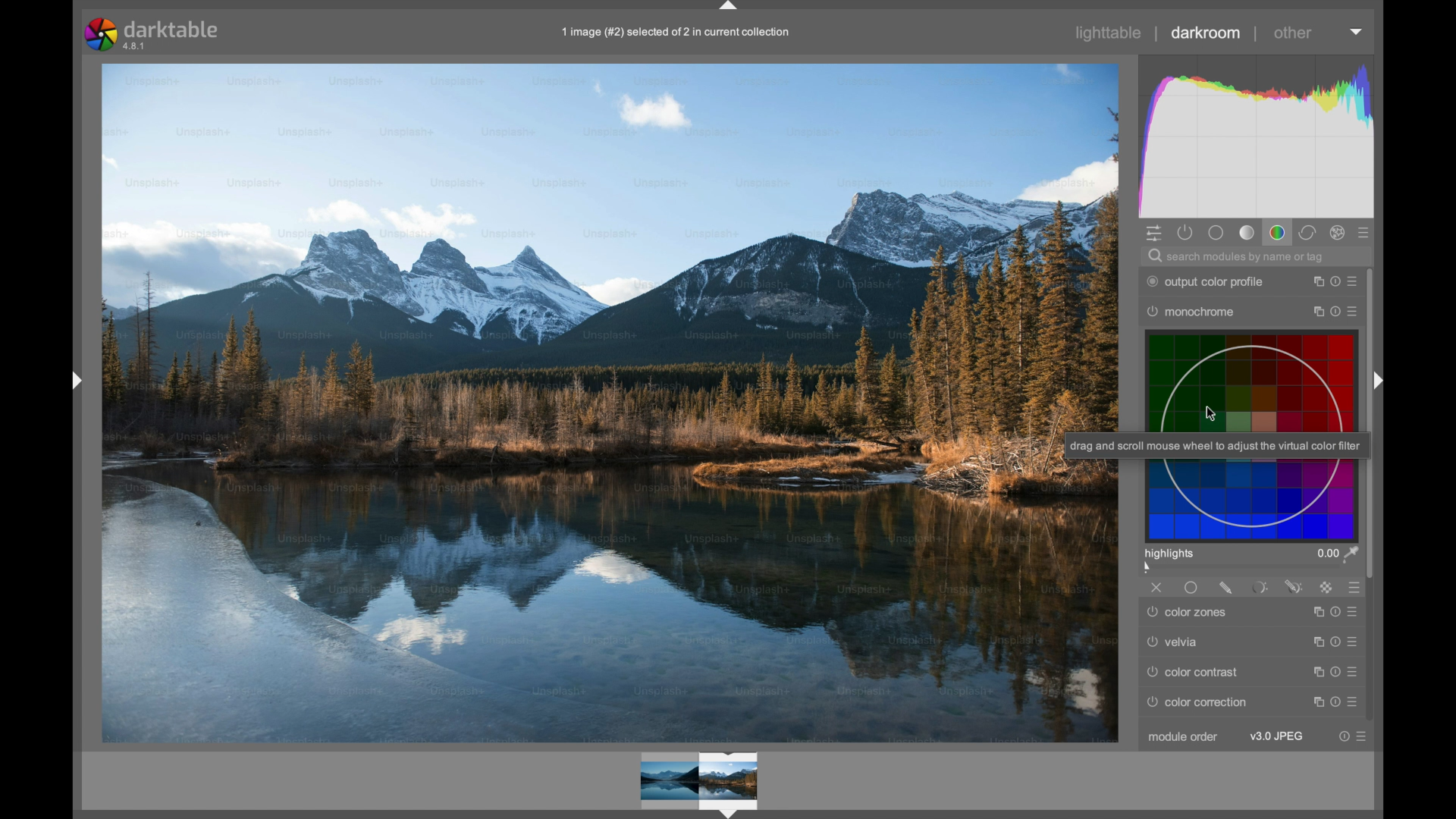  What do you see at coordinates (1354, 280) in the screenshot?
I see `preset` at bounding box center [1354, 280].